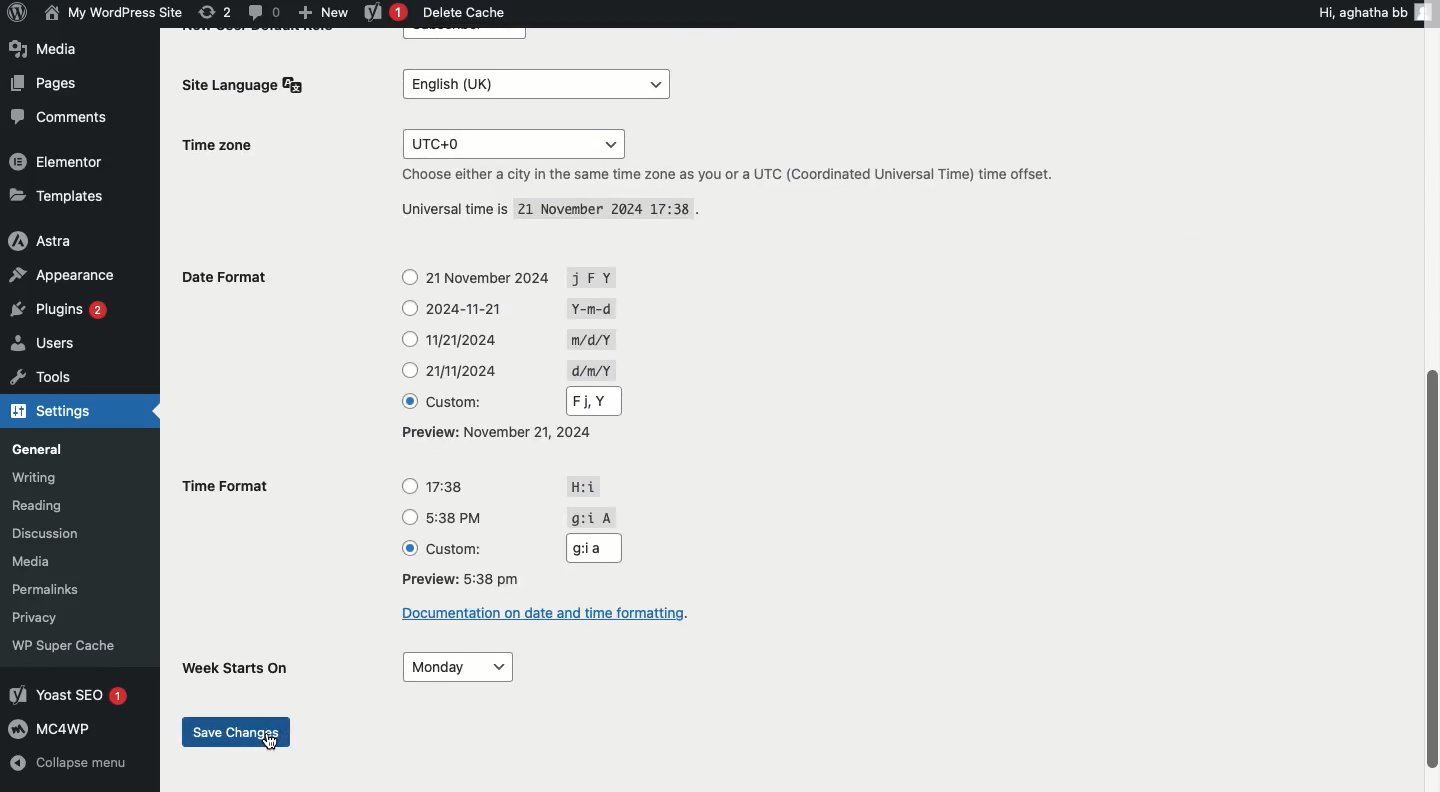  I want to click on Preview: November 21, 2024, so click(499, 433).